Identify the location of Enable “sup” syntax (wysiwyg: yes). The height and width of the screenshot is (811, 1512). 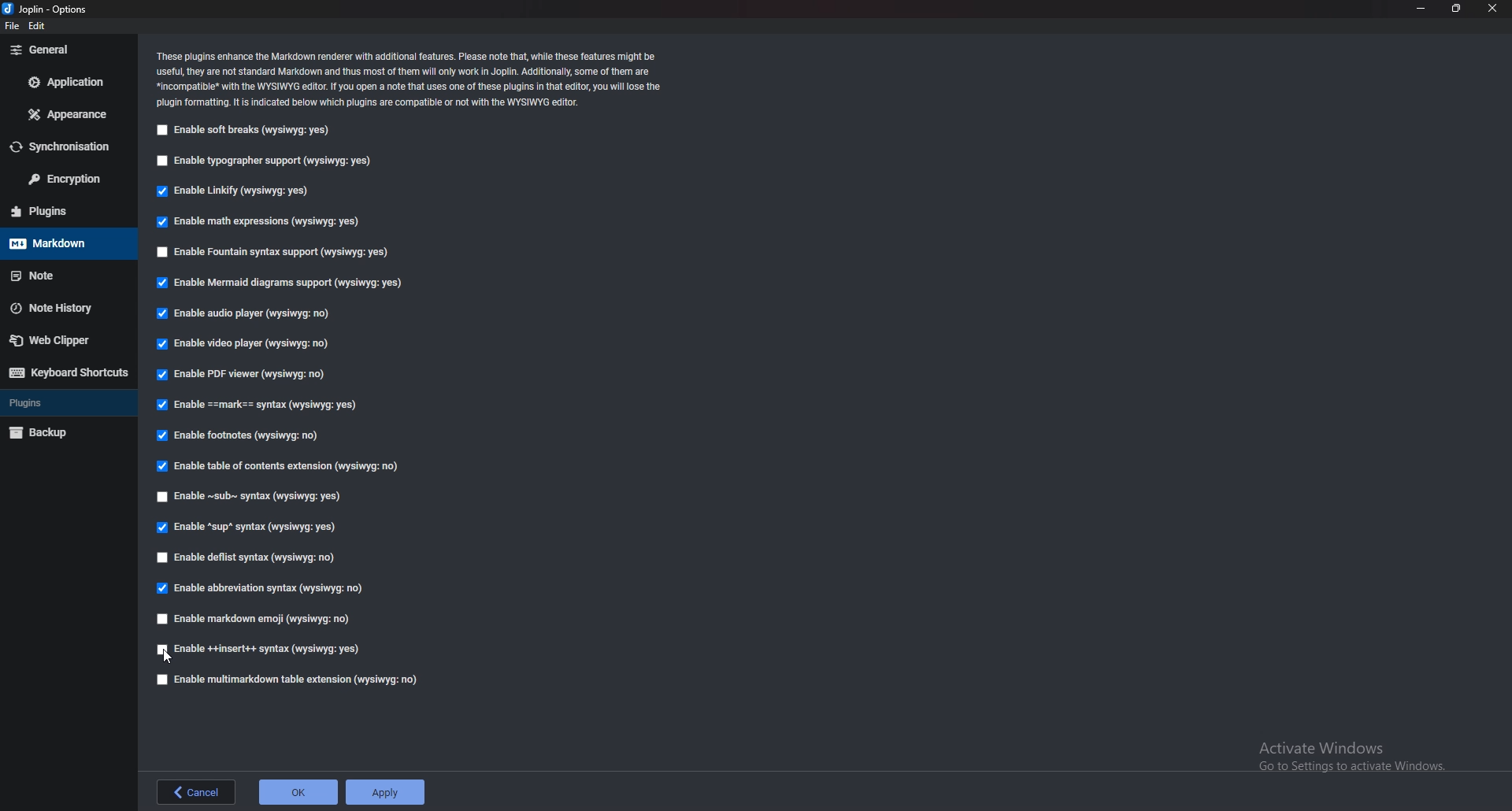
(247, 527).